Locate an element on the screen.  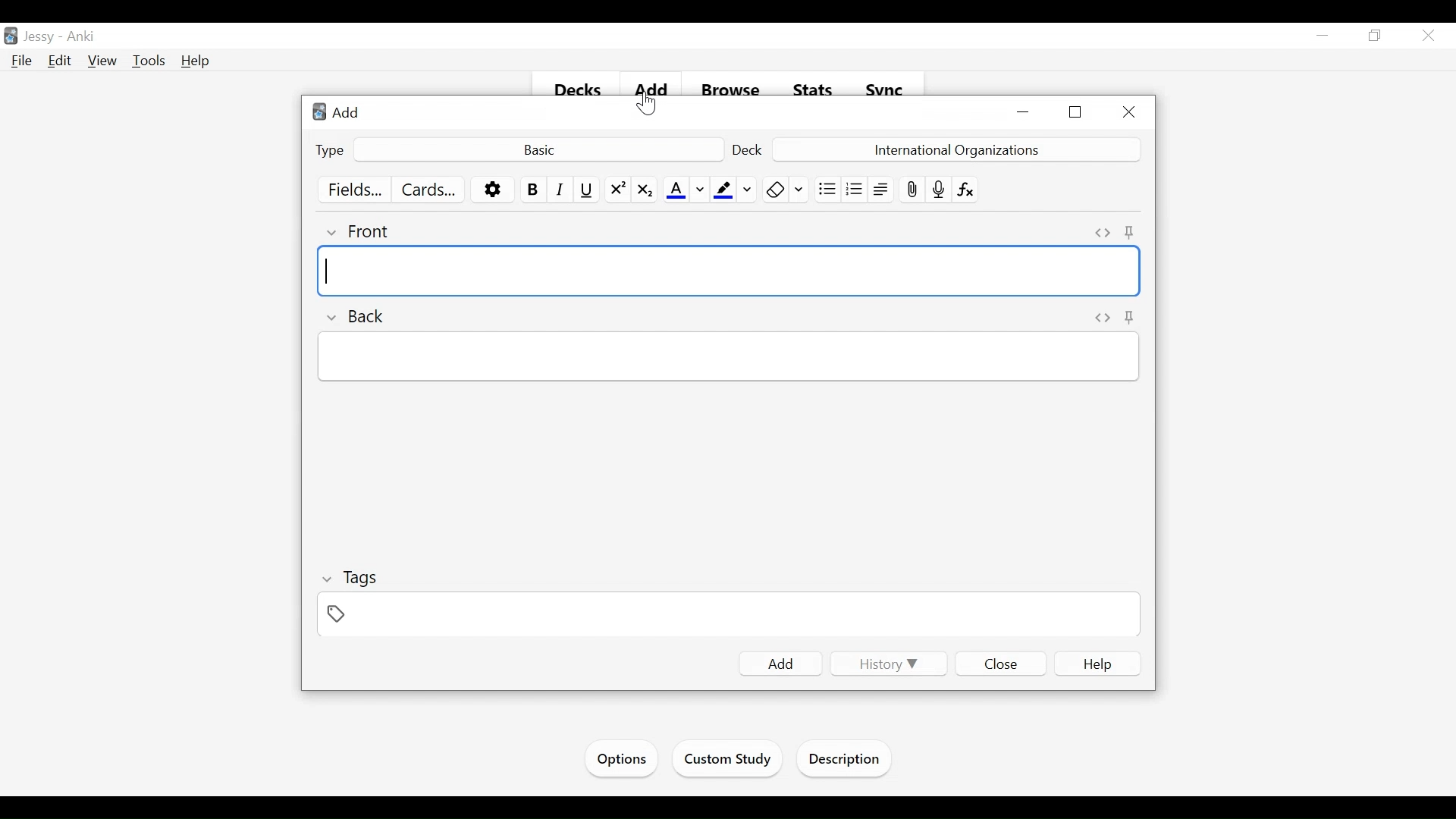
cursor is located at coordinates (643, 109).